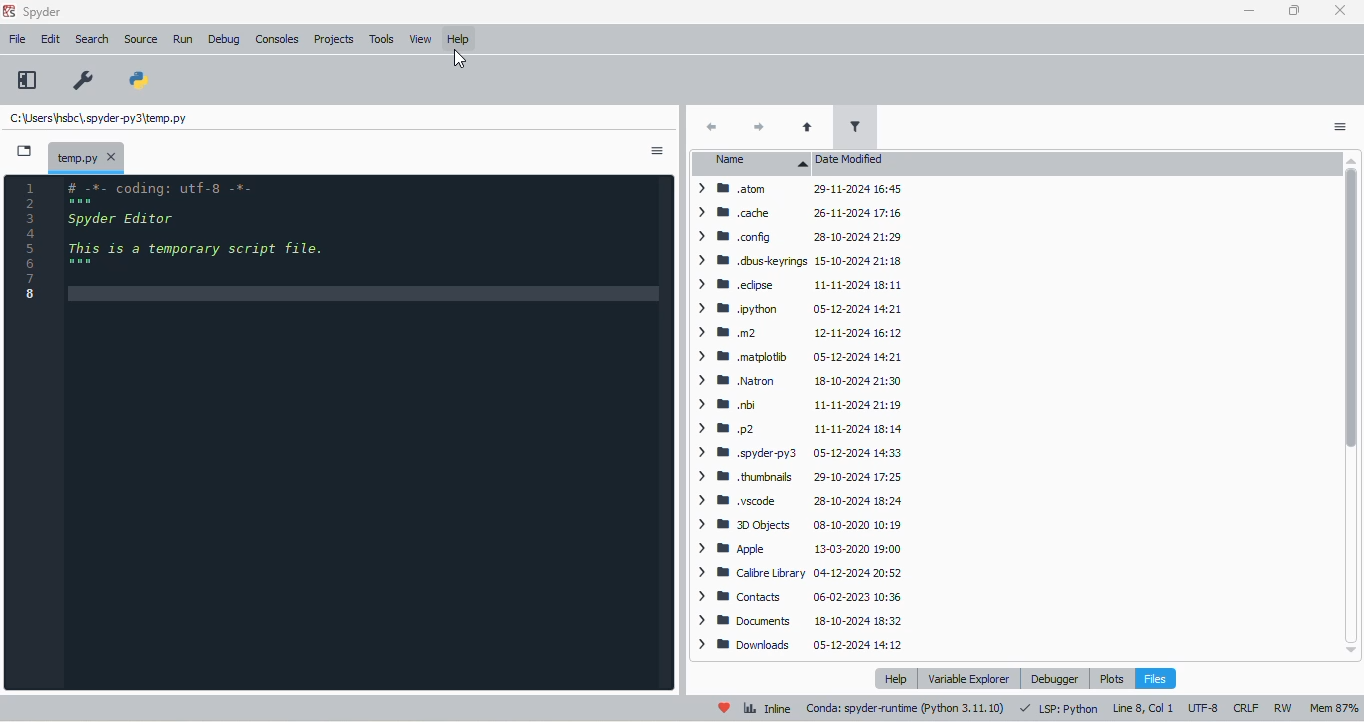 The image size is (1364, 722). What do you see at coordinates (1247, 708) in the screenshot?
I see `CRLF` at bounding box center [1247, 708].